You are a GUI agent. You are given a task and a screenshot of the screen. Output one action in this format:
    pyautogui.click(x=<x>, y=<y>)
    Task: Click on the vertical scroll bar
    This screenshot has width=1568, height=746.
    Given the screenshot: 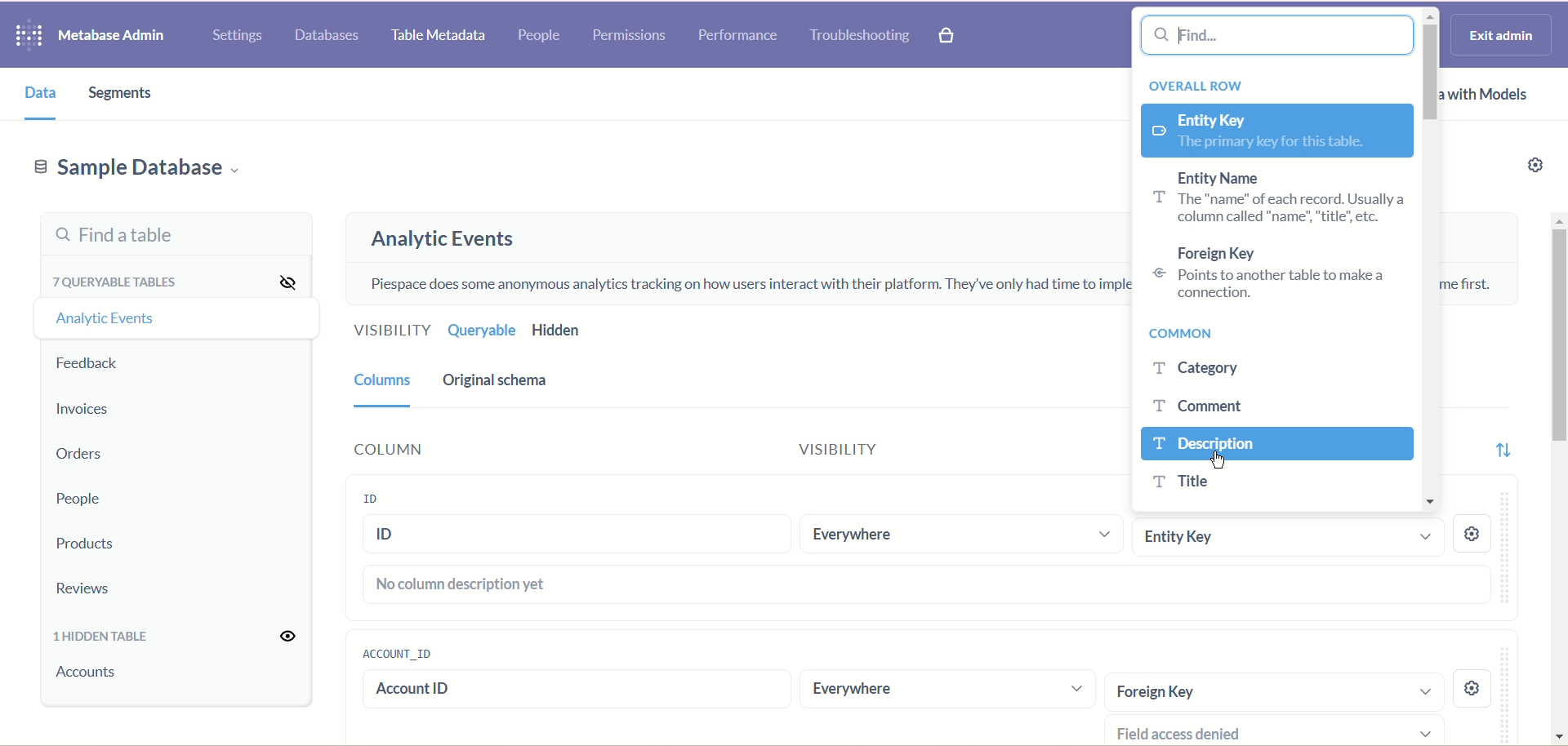 What is the action you would take?
    pyautogui.click(x=1428, y=262)
    